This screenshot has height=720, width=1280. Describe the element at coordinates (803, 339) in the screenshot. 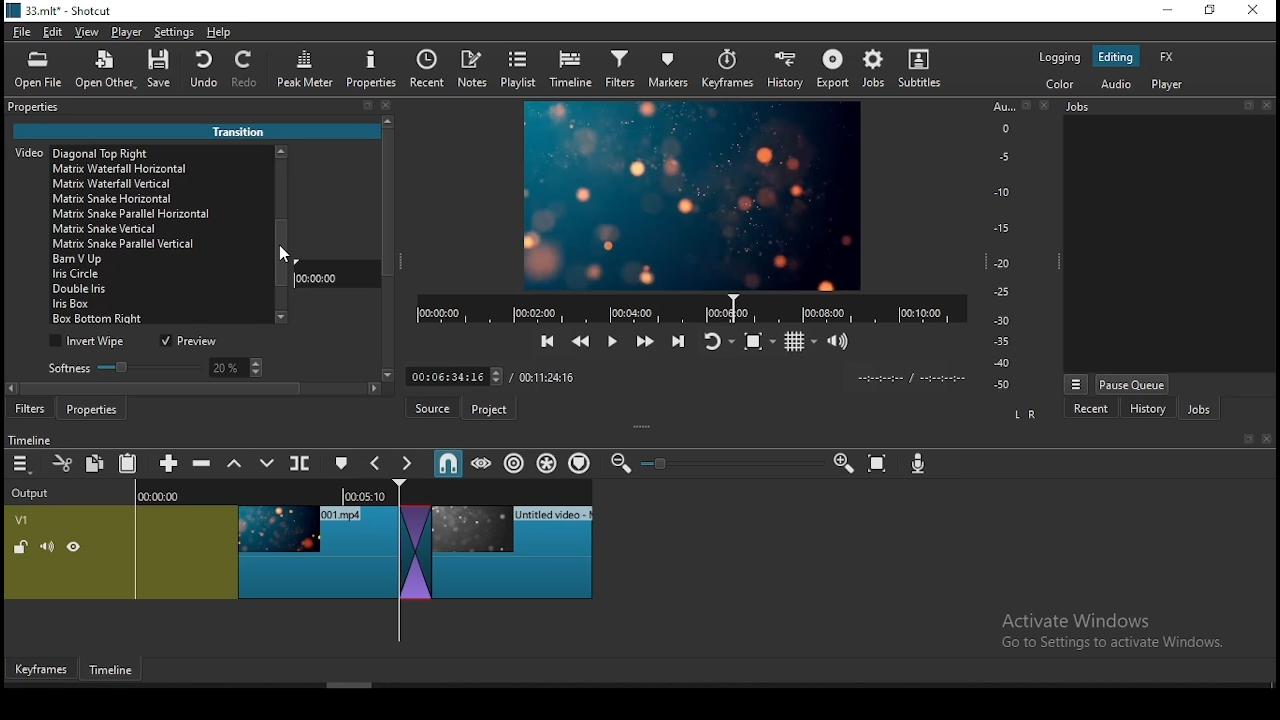

I see `toggle grid display on player` at that location.